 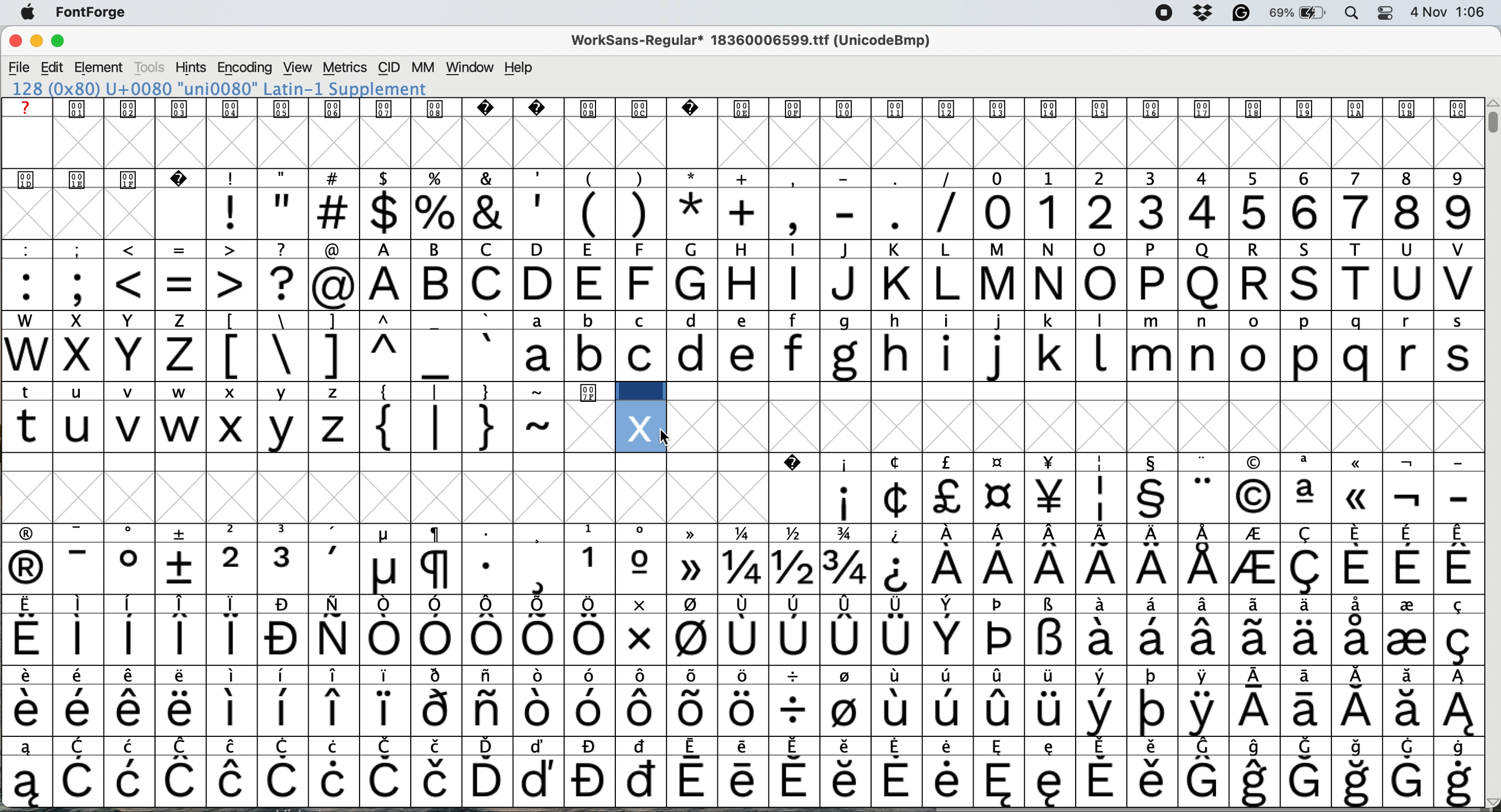 I want to click on numbers, so click(x=1227, y=211).